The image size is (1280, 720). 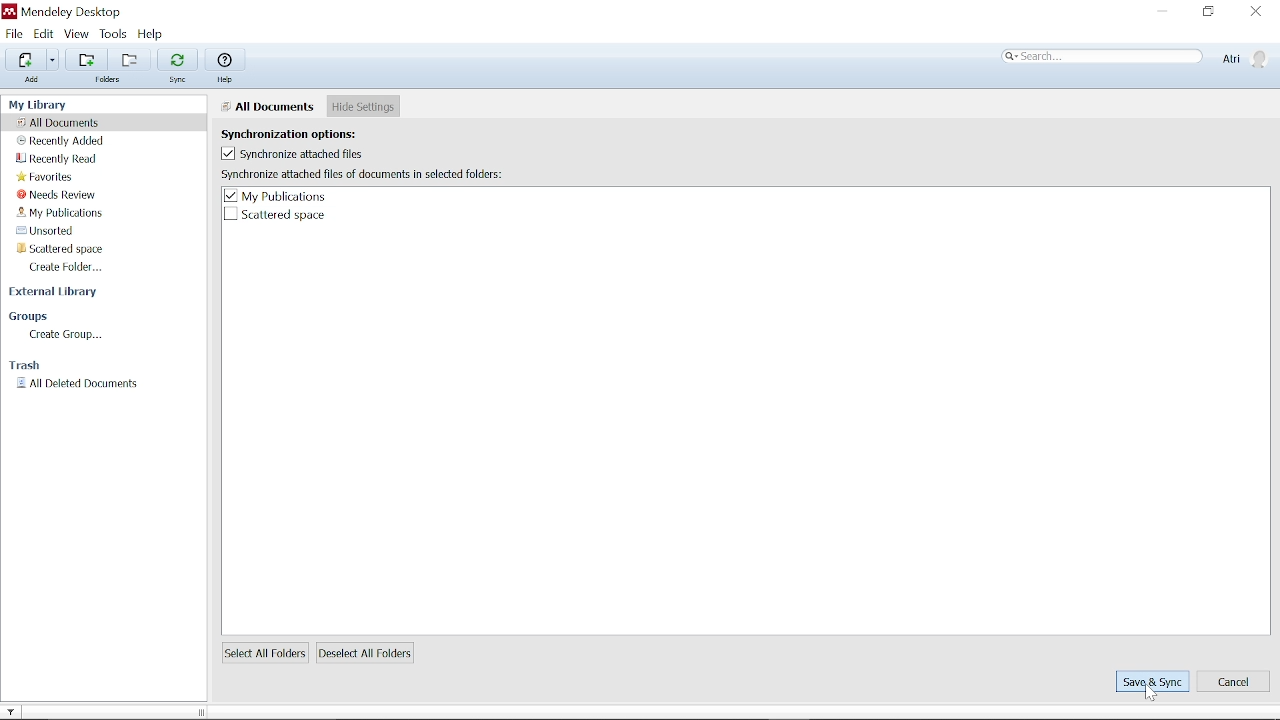 What do you see at coordinates (1235, 682) in the screenshot?
I see `Cancel` at bounding box center [1235, 682].